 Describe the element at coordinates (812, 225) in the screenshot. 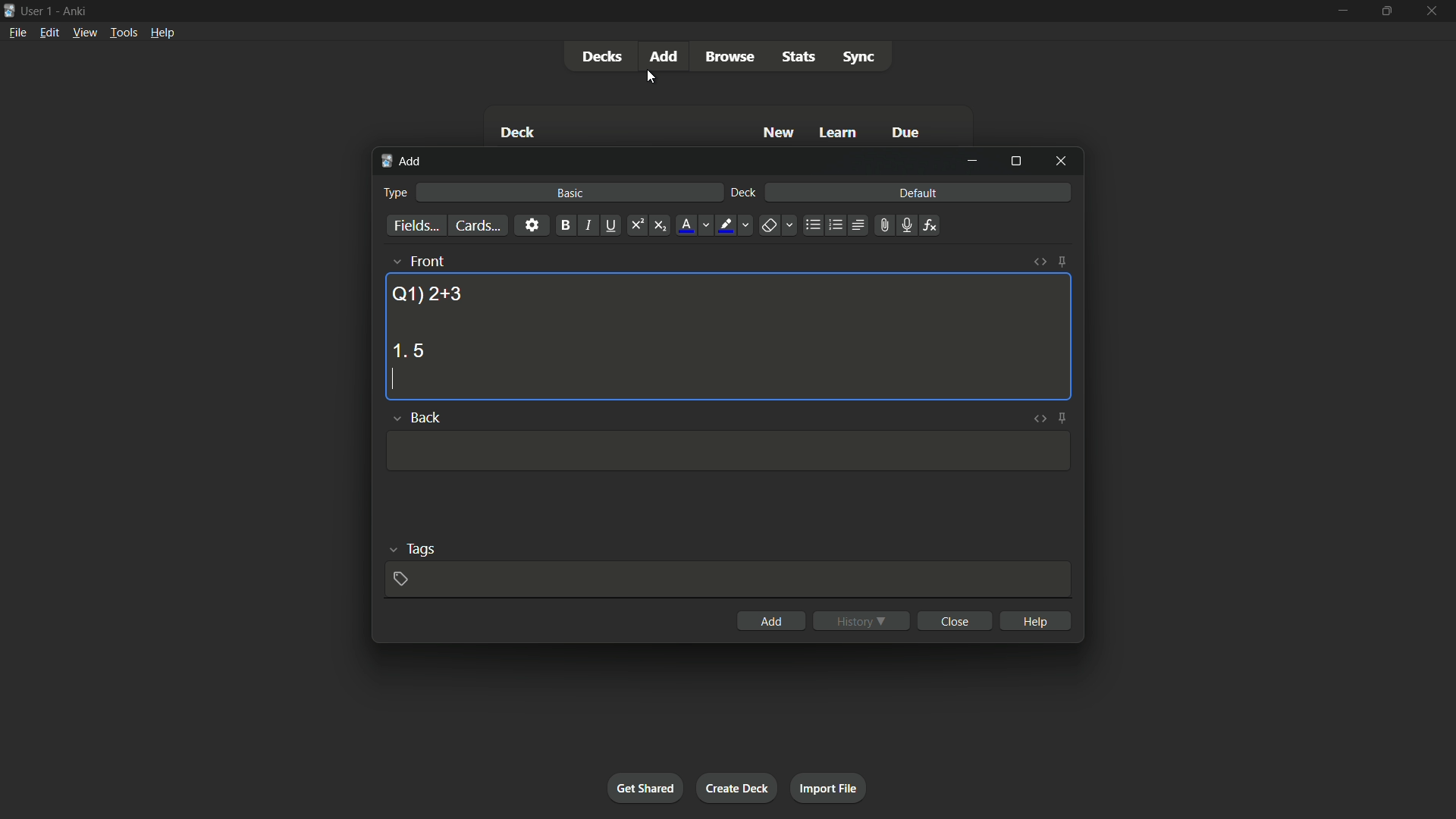

I see `unordered list` at that location.